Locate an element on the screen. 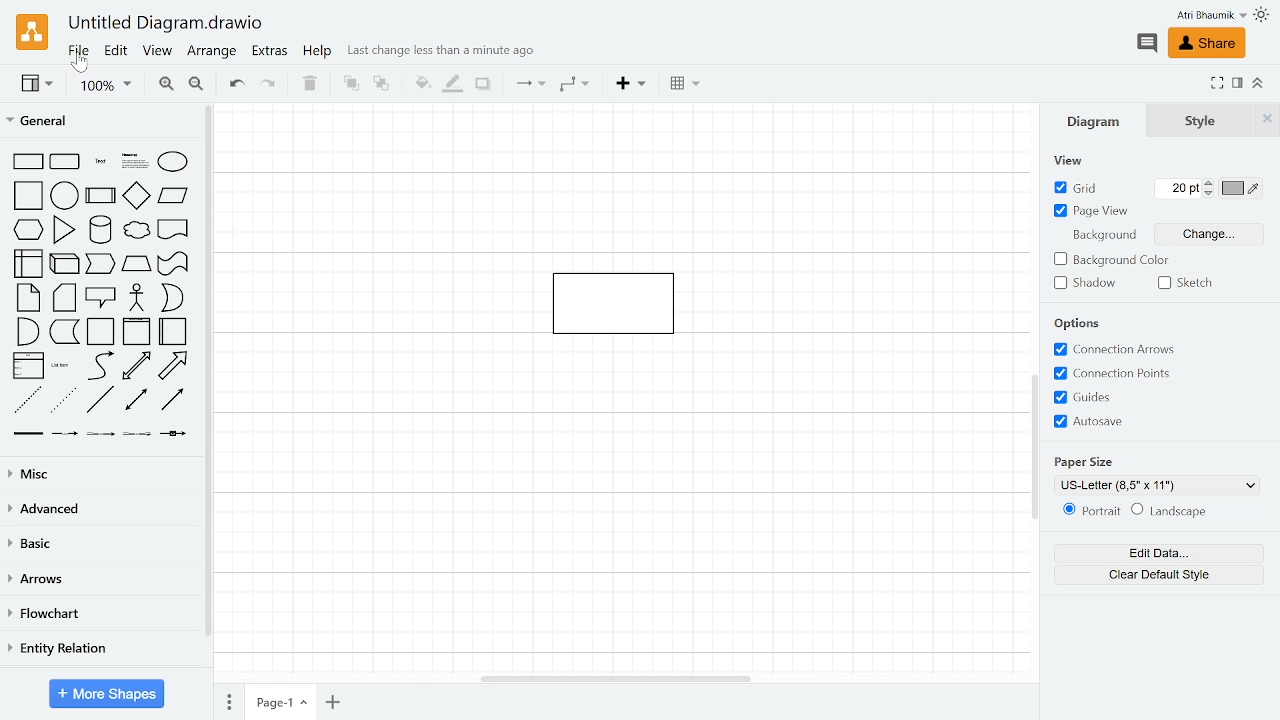 The image size is (1280, 720). Landscape is located at coordinates (1180, 510).